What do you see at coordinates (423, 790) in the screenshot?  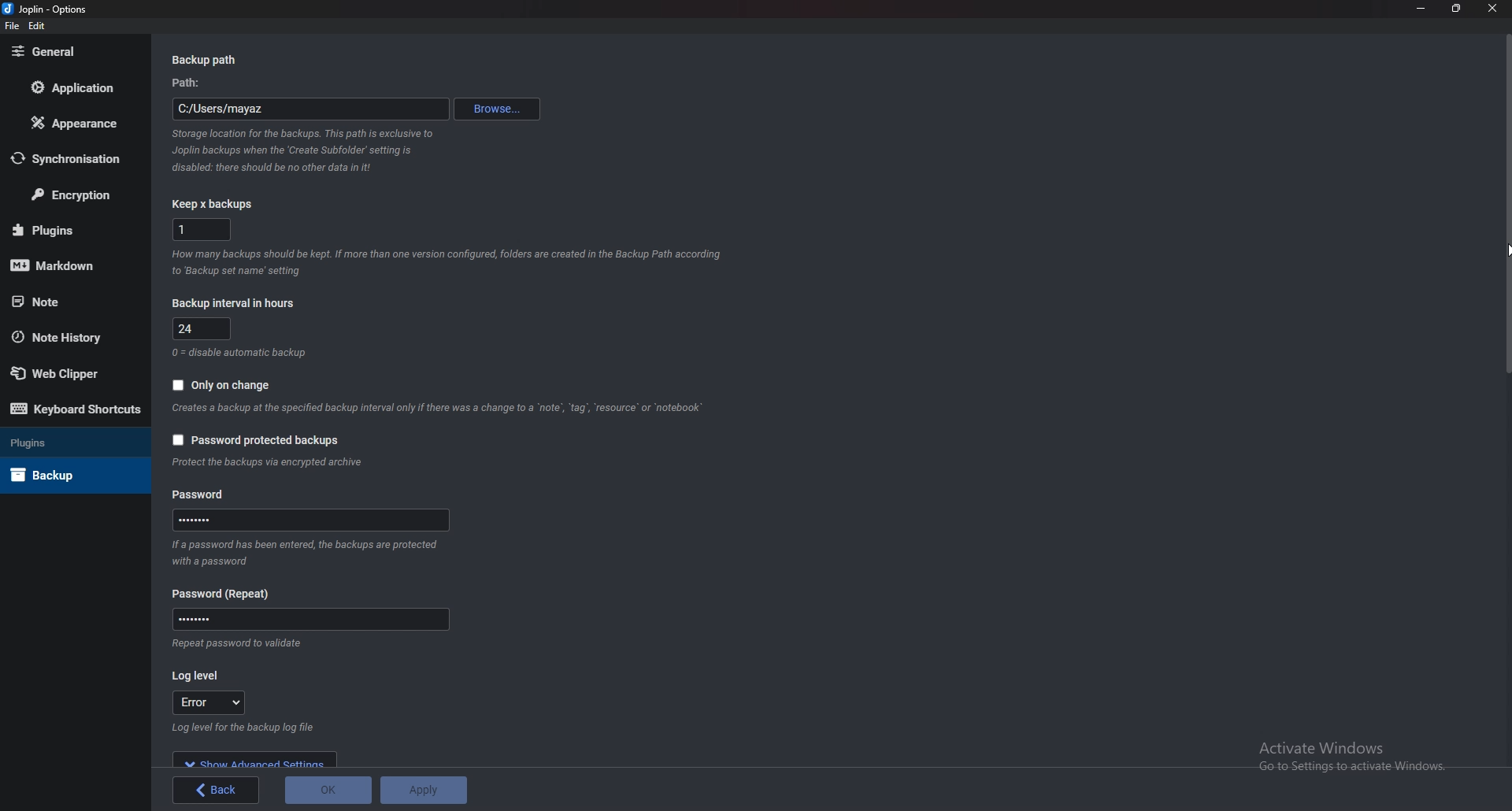 I see `Apply` at bounding box center [423, 790].